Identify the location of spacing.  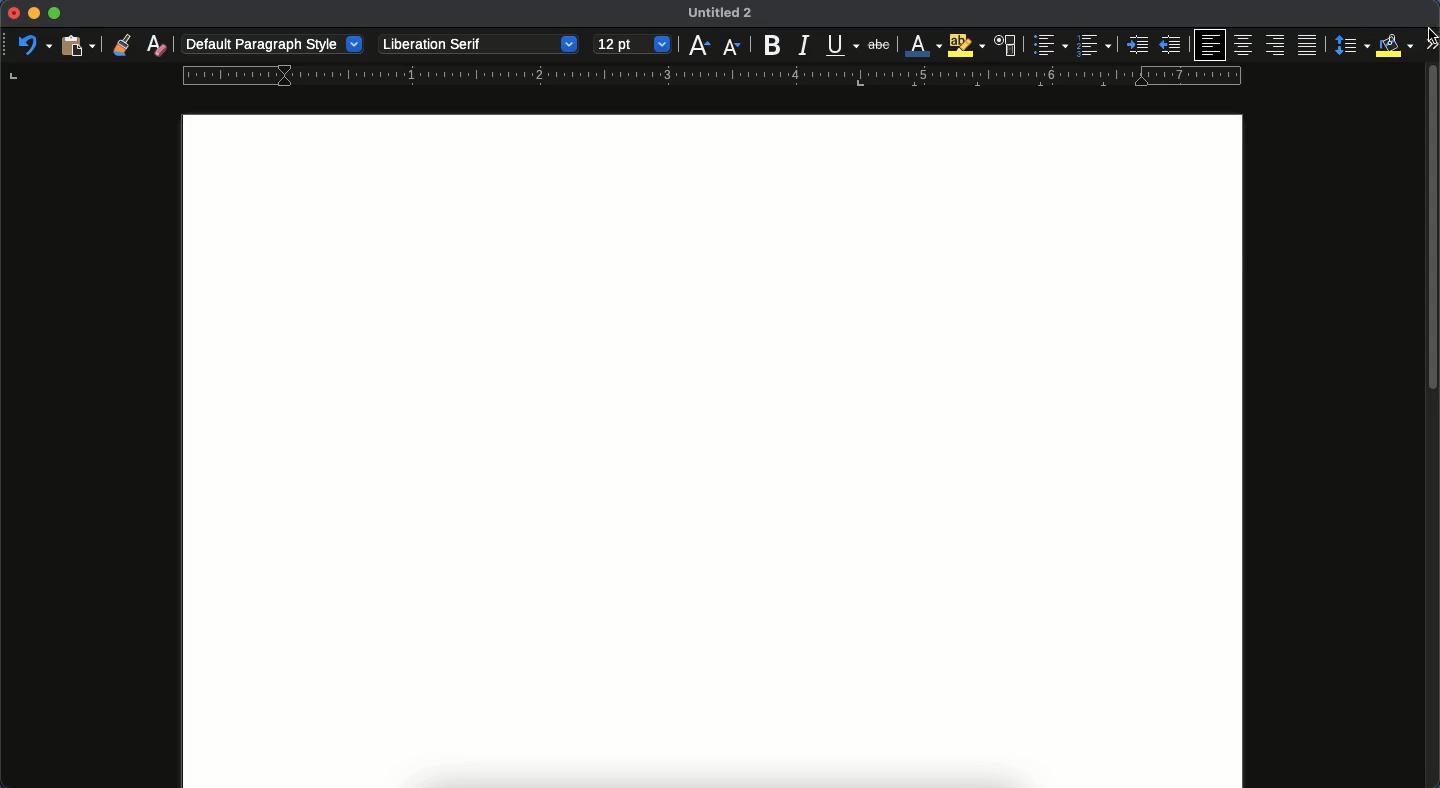
(1350, 45).